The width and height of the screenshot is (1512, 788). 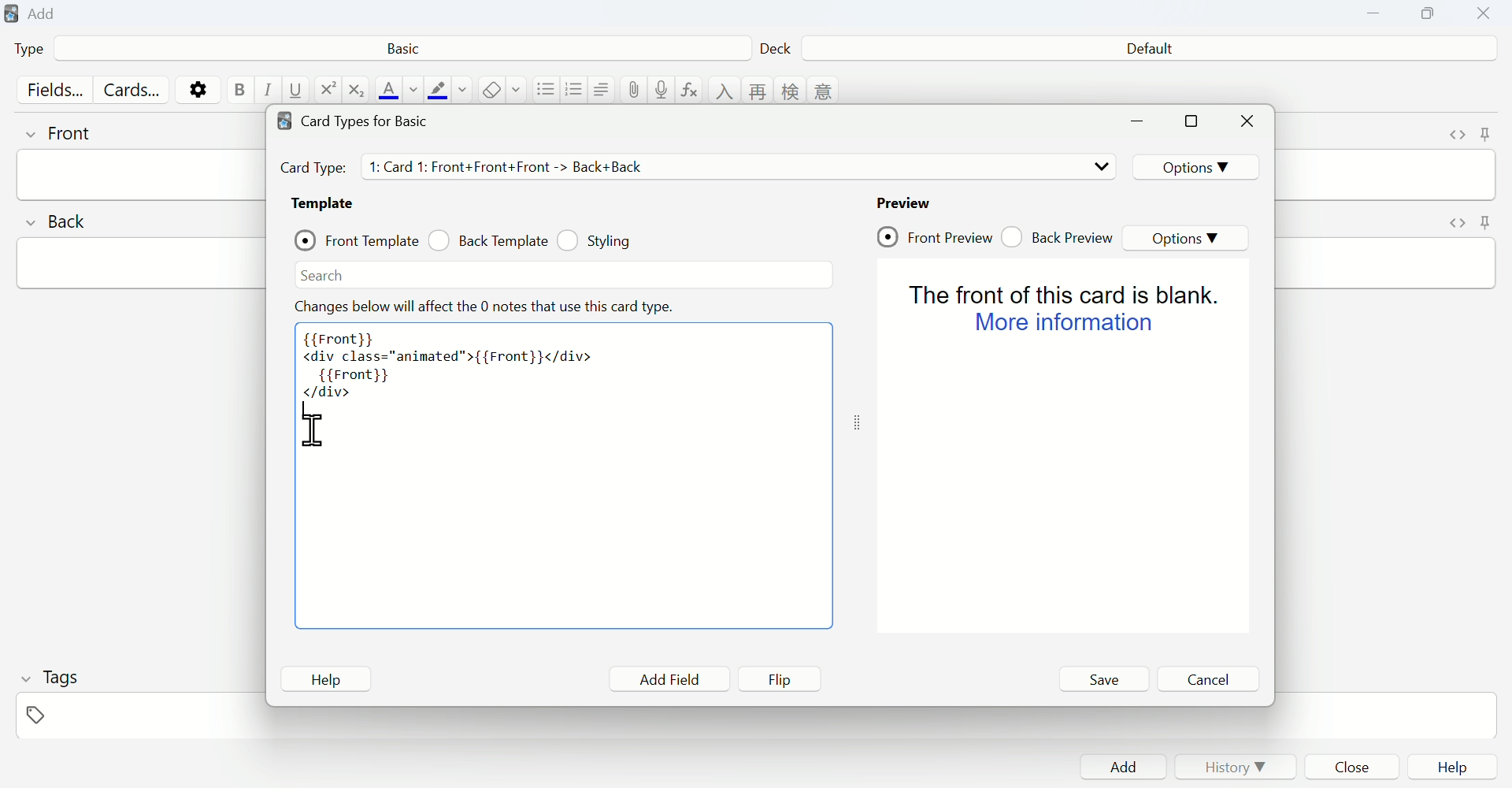 I want to click on Close, so click(x=1247, y=123).